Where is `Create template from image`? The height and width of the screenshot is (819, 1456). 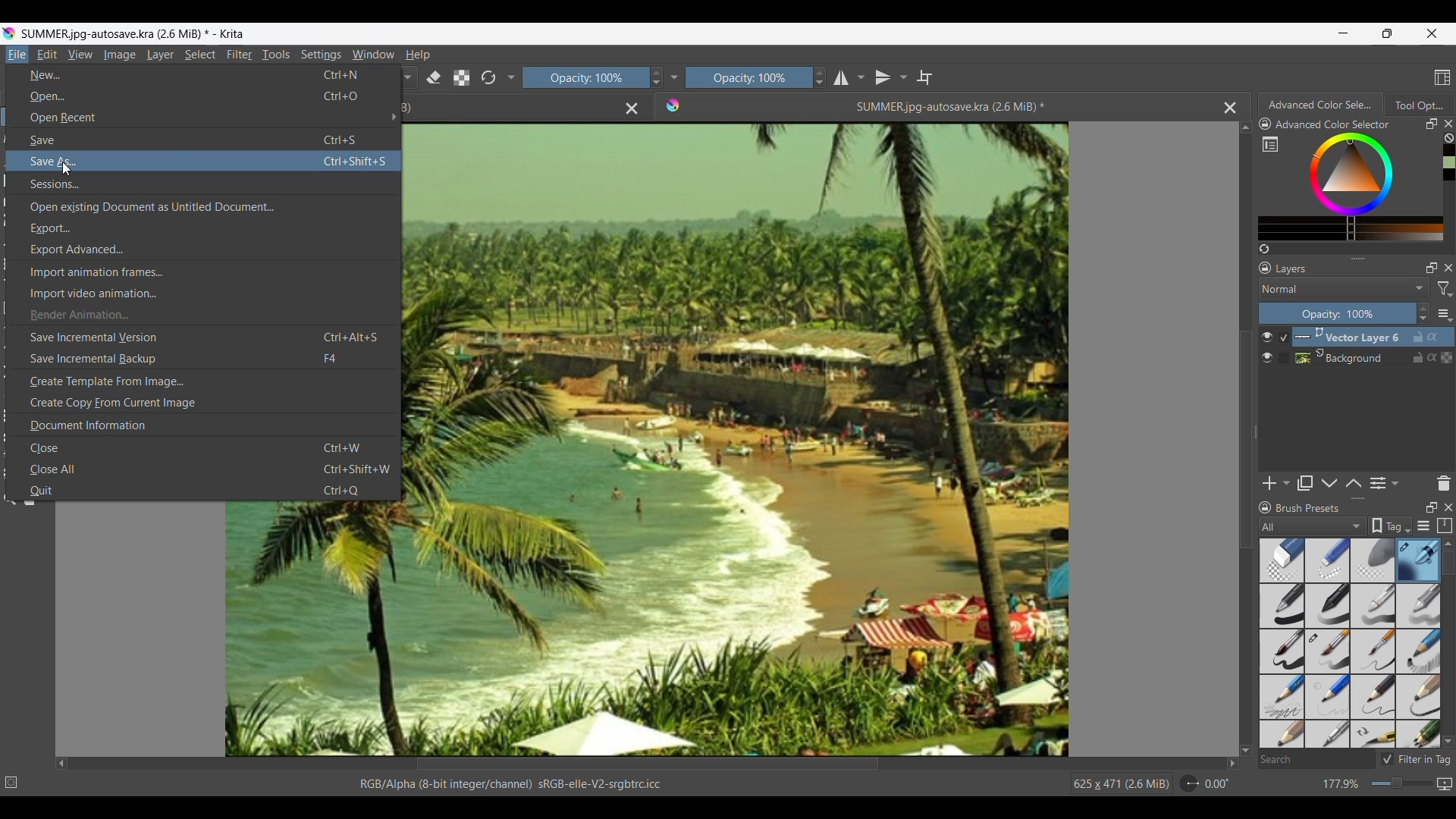 Create template from image is located at coordinates (204, 381).